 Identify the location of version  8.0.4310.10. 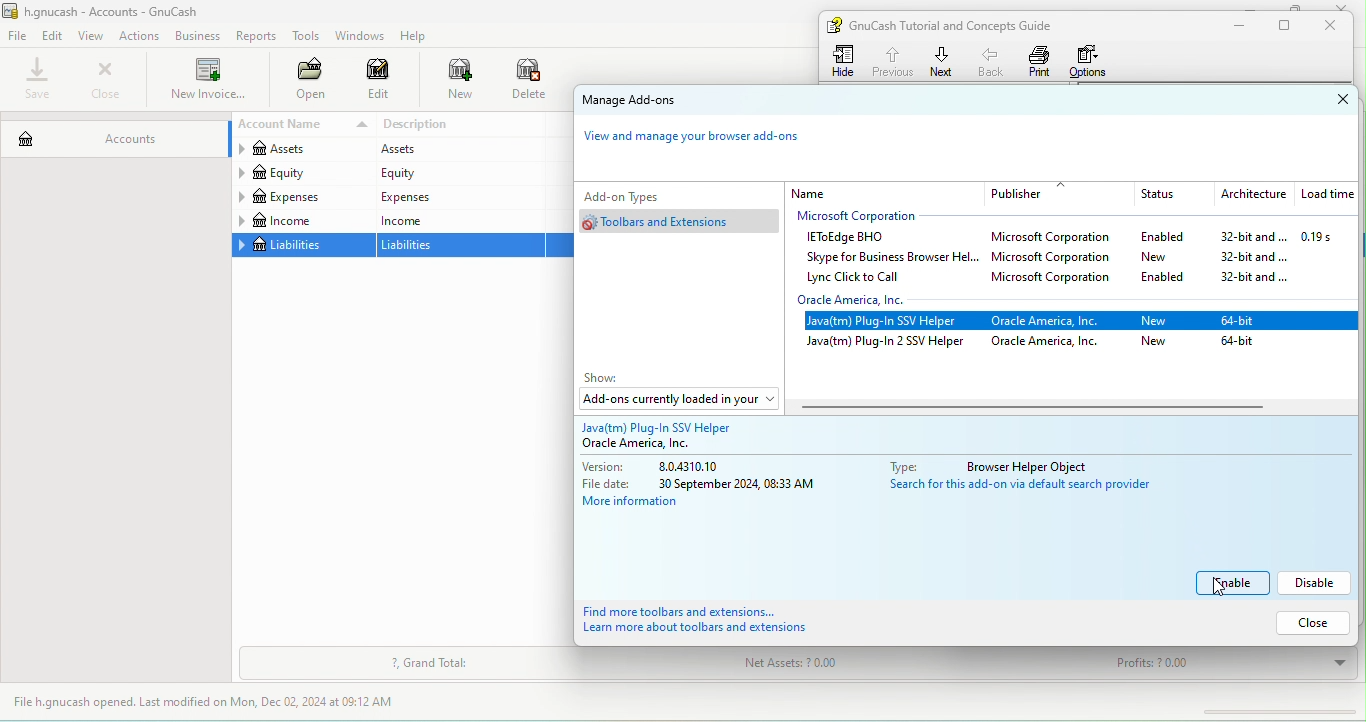
(673, 467).